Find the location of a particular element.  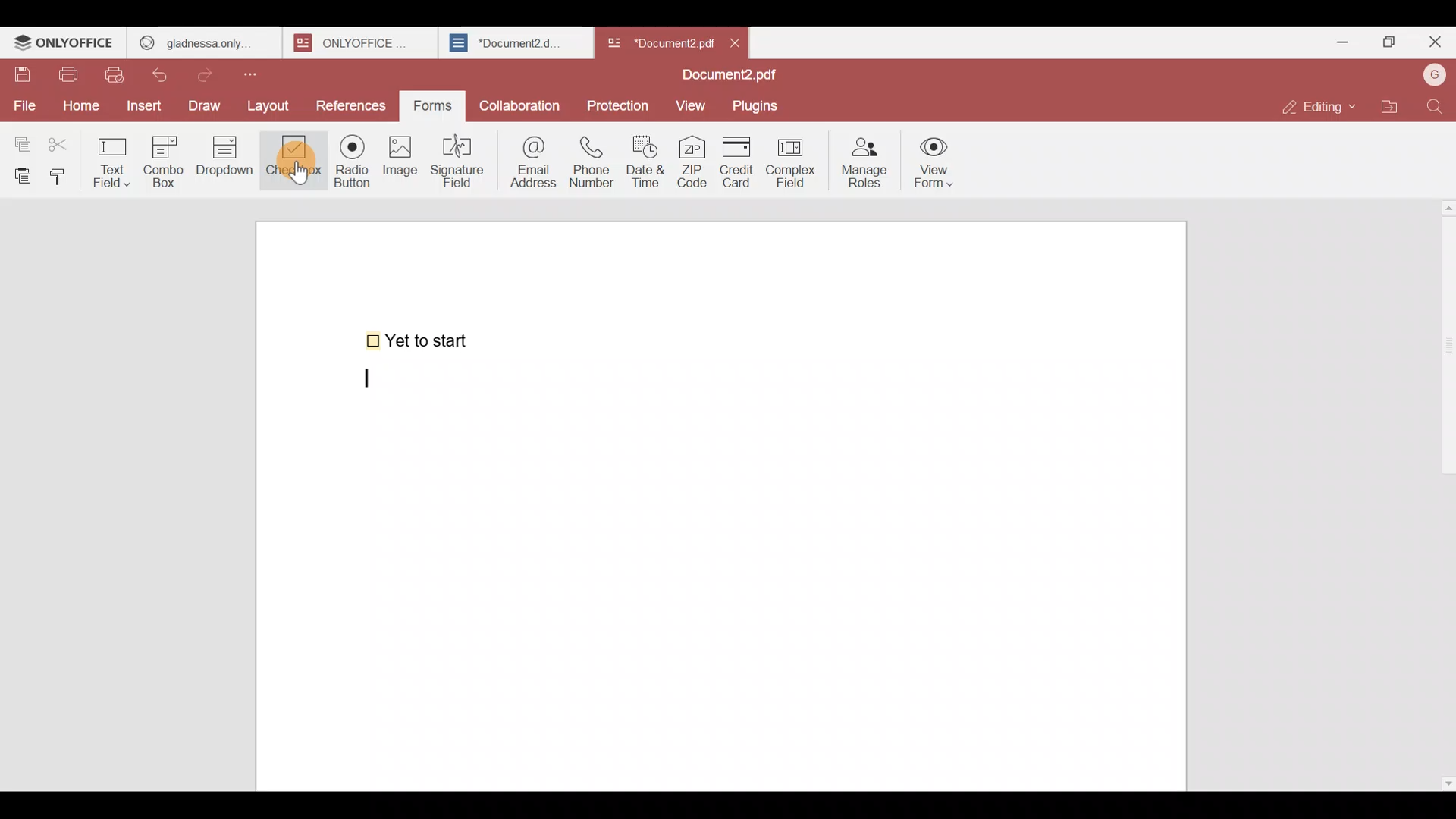

Close is located at coordinates (742, 42).